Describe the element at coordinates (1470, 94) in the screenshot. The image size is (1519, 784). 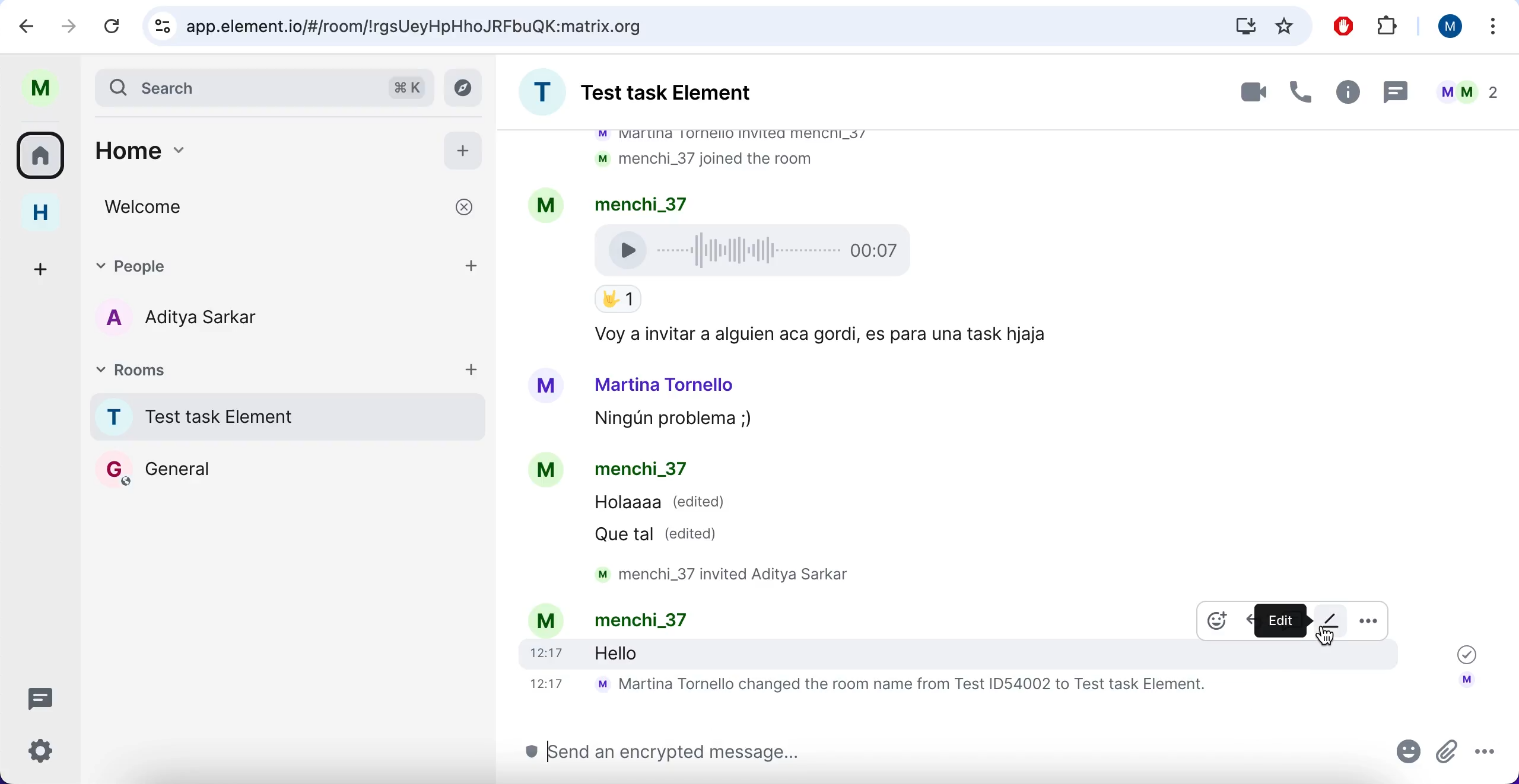
I see `user chats` at that location.